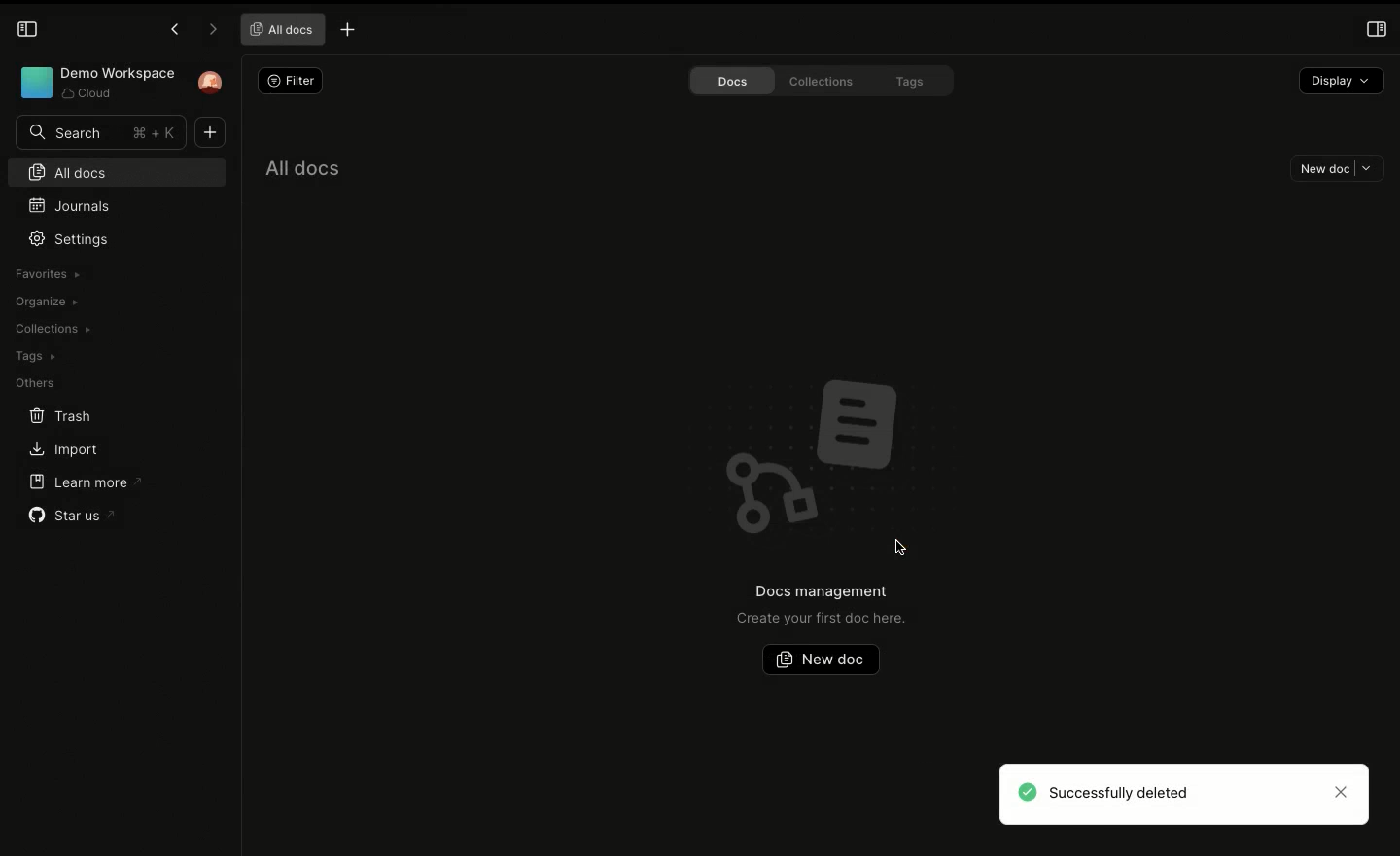  I want to click on Others, so click(34, 381).